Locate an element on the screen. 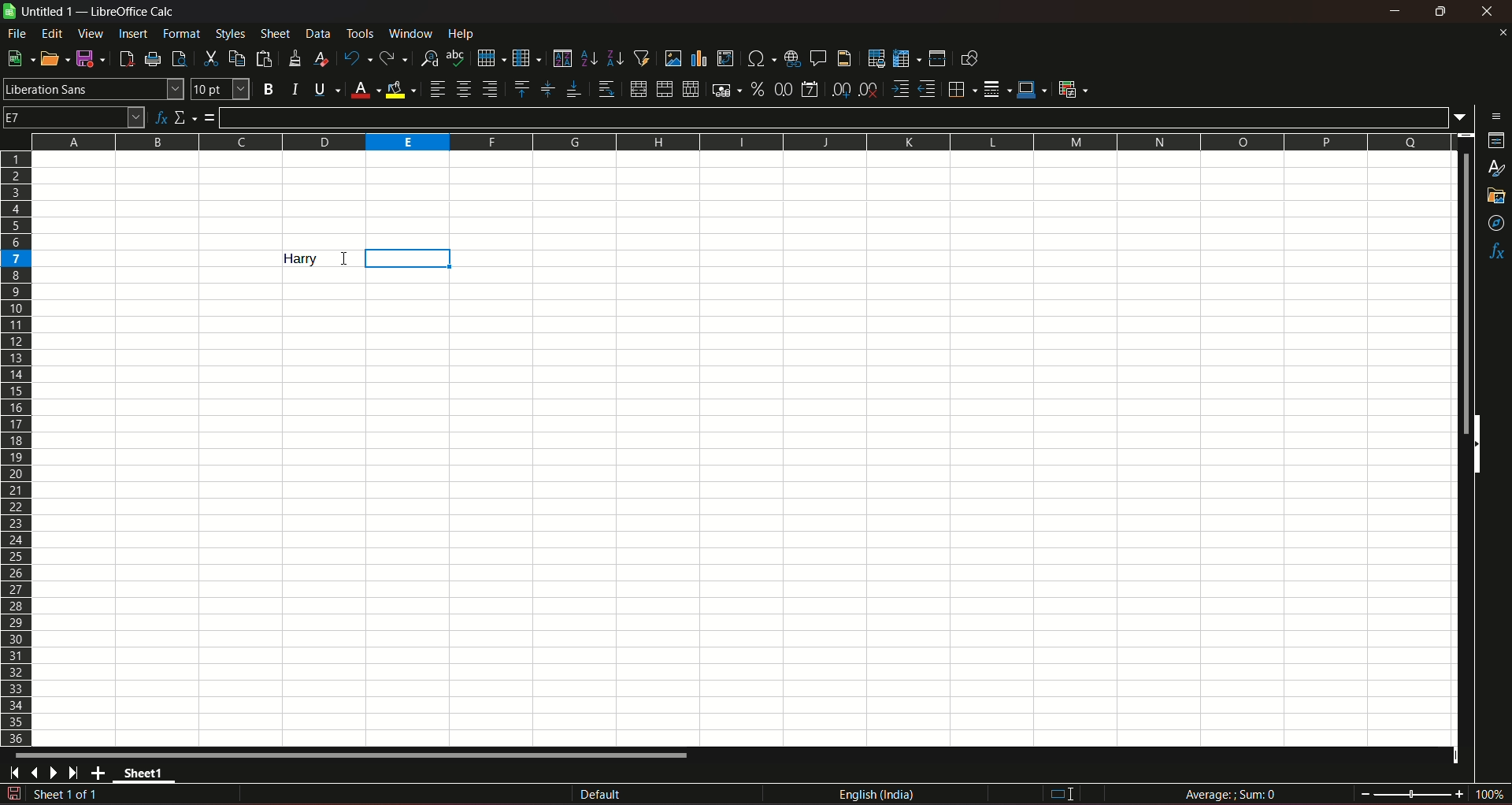 The height and width of the screenshot is (805, 1512). add new sheet is located at coordinates (100, 773).